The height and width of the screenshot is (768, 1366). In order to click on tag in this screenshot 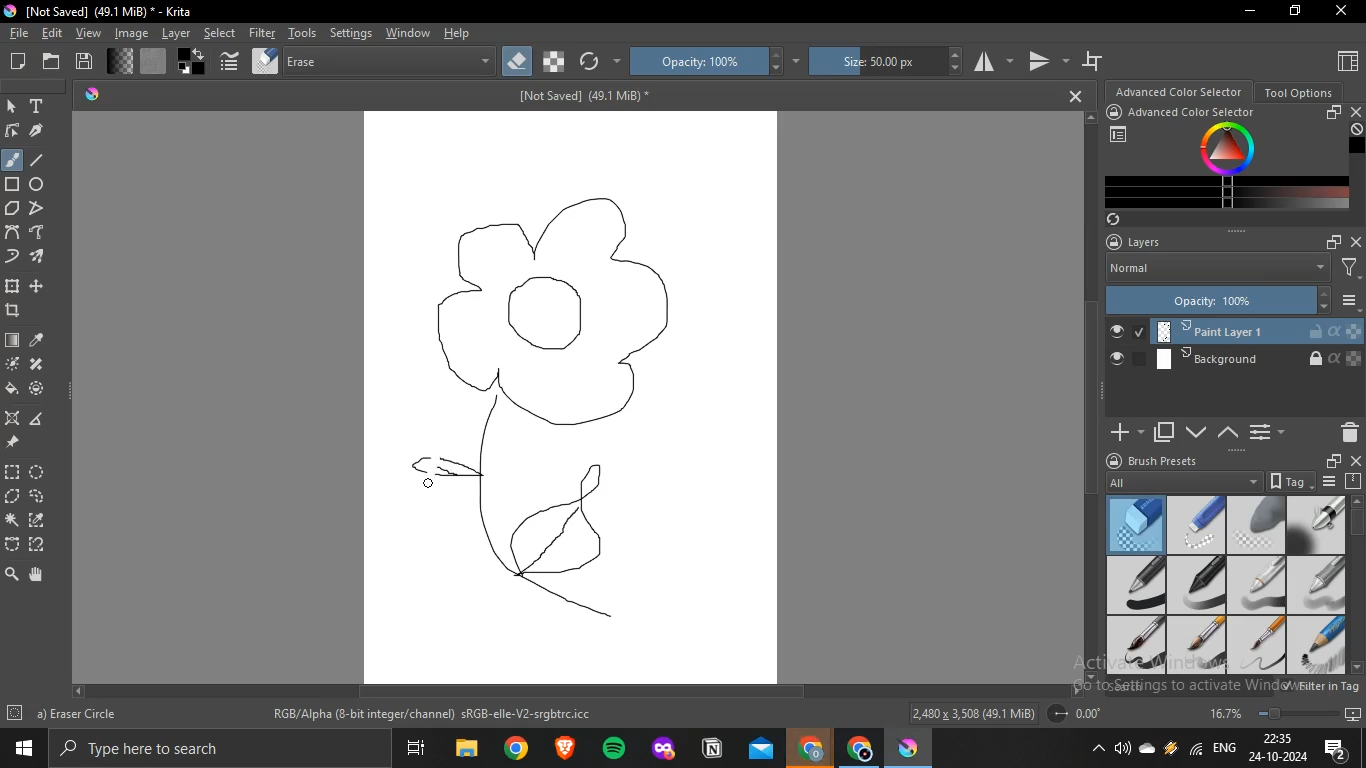, I will do `click(1288, 481)`.